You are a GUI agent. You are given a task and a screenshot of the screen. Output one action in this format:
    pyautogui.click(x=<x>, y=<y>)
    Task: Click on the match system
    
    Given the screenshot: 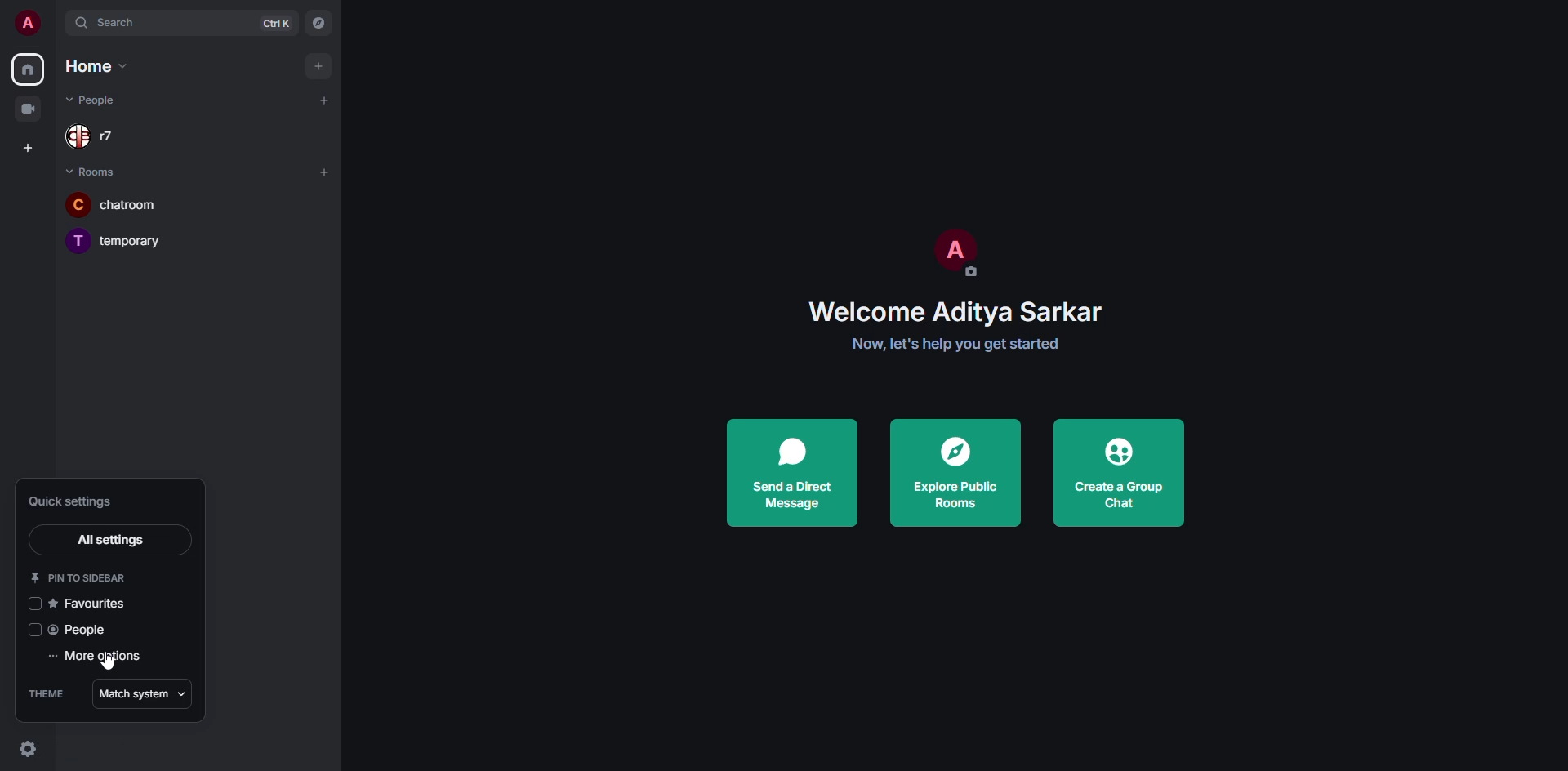 What is the action you would take?
    pyautogui.click(x=145, y=694)
    